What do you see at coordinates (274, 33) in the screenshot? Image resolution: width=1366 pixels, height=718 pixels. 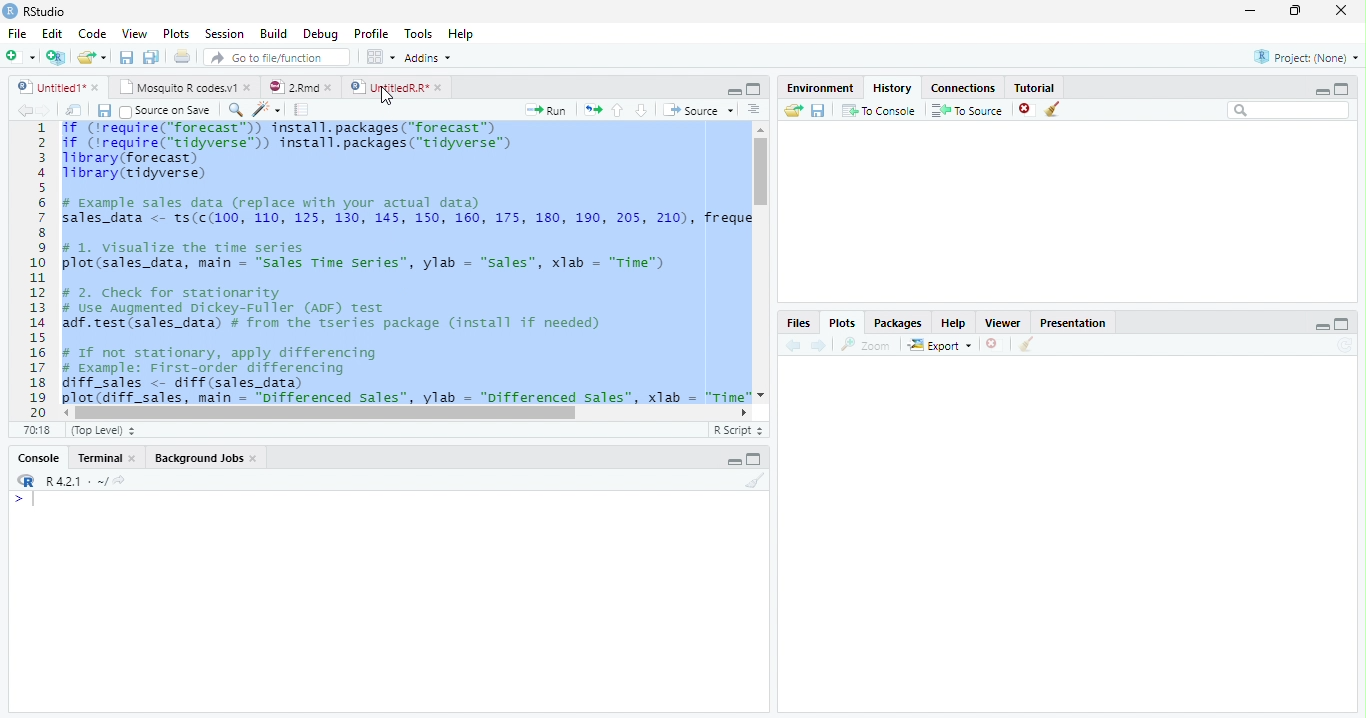 I see `Build` at bounding box center [274, 33].